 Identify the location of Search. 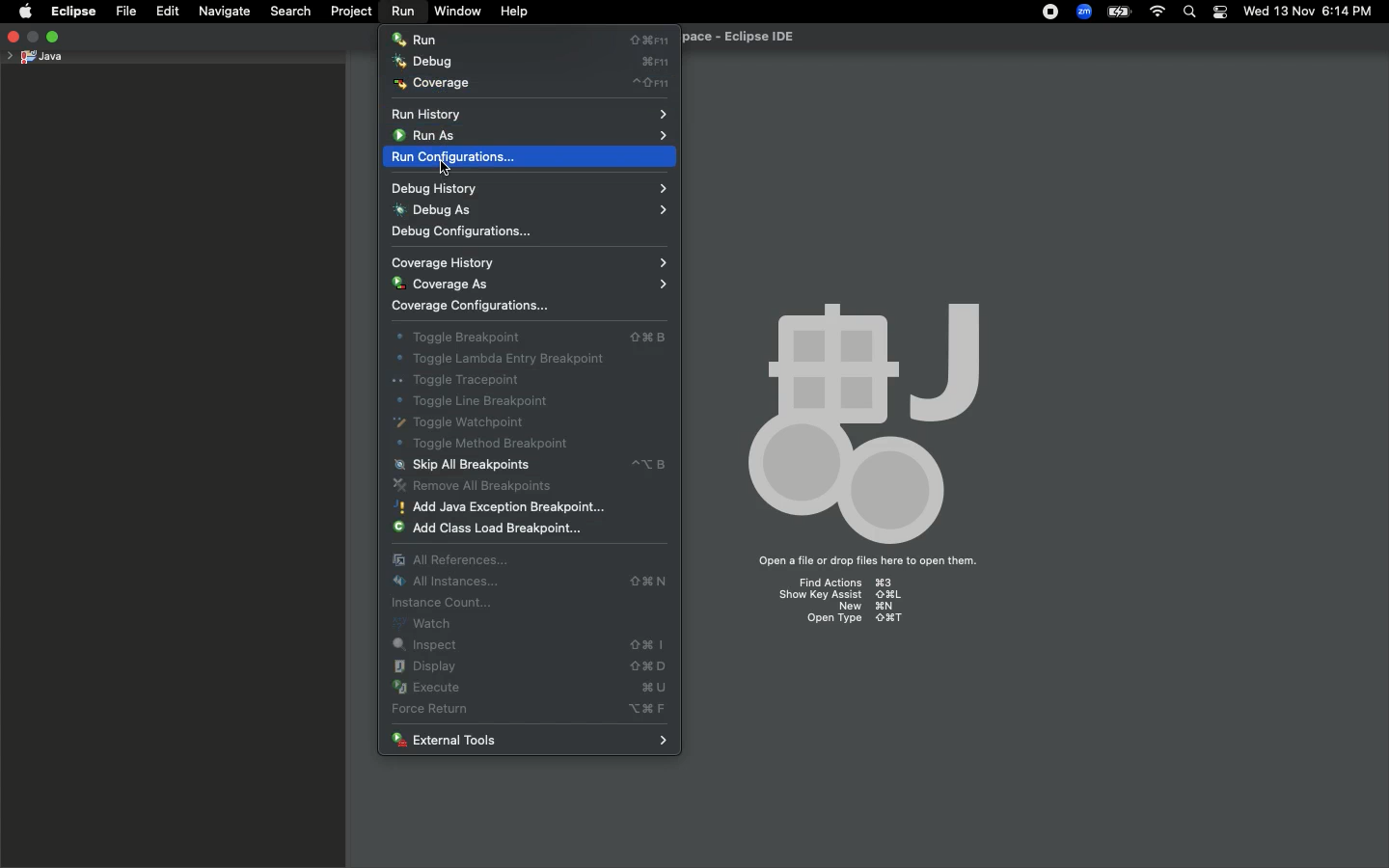
(1188, 14).